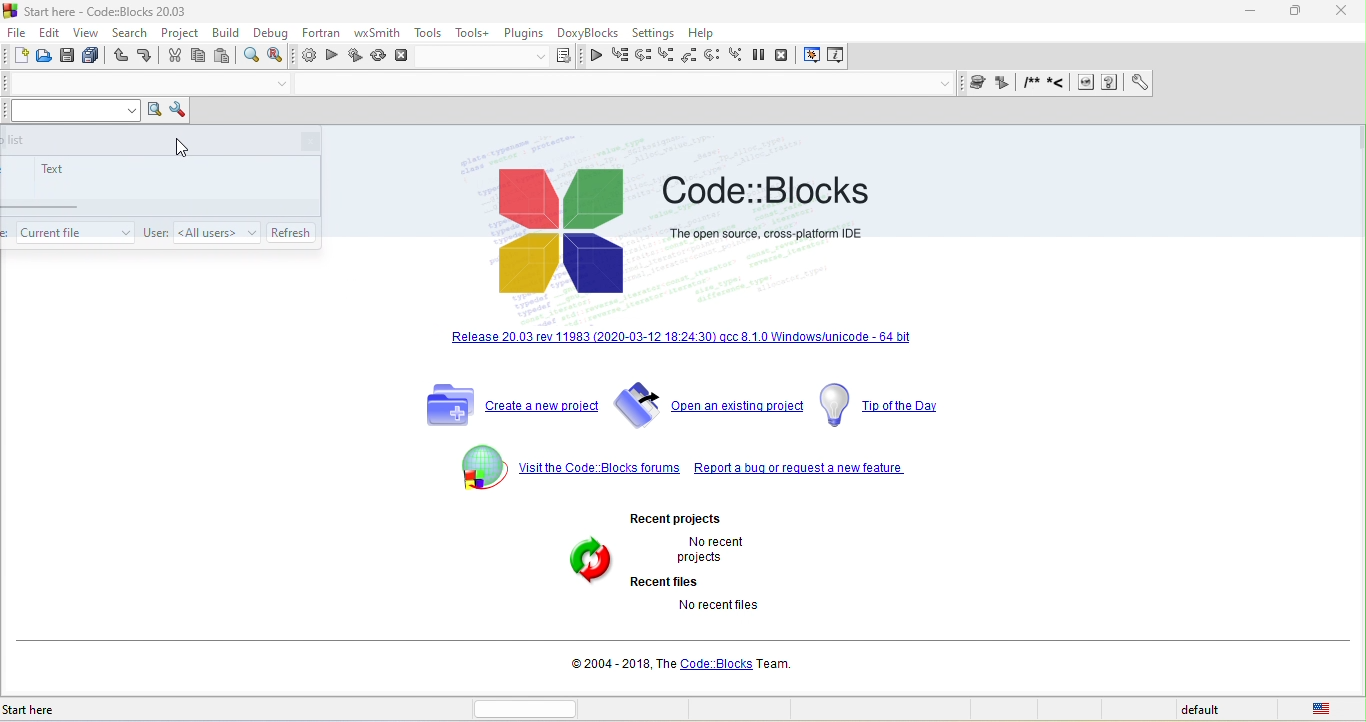 This screenshot has height=722, width=1366. What do you see at coordinates (154, 111) in the screenshot?
I see `run search` at bounding box center [154, 111].